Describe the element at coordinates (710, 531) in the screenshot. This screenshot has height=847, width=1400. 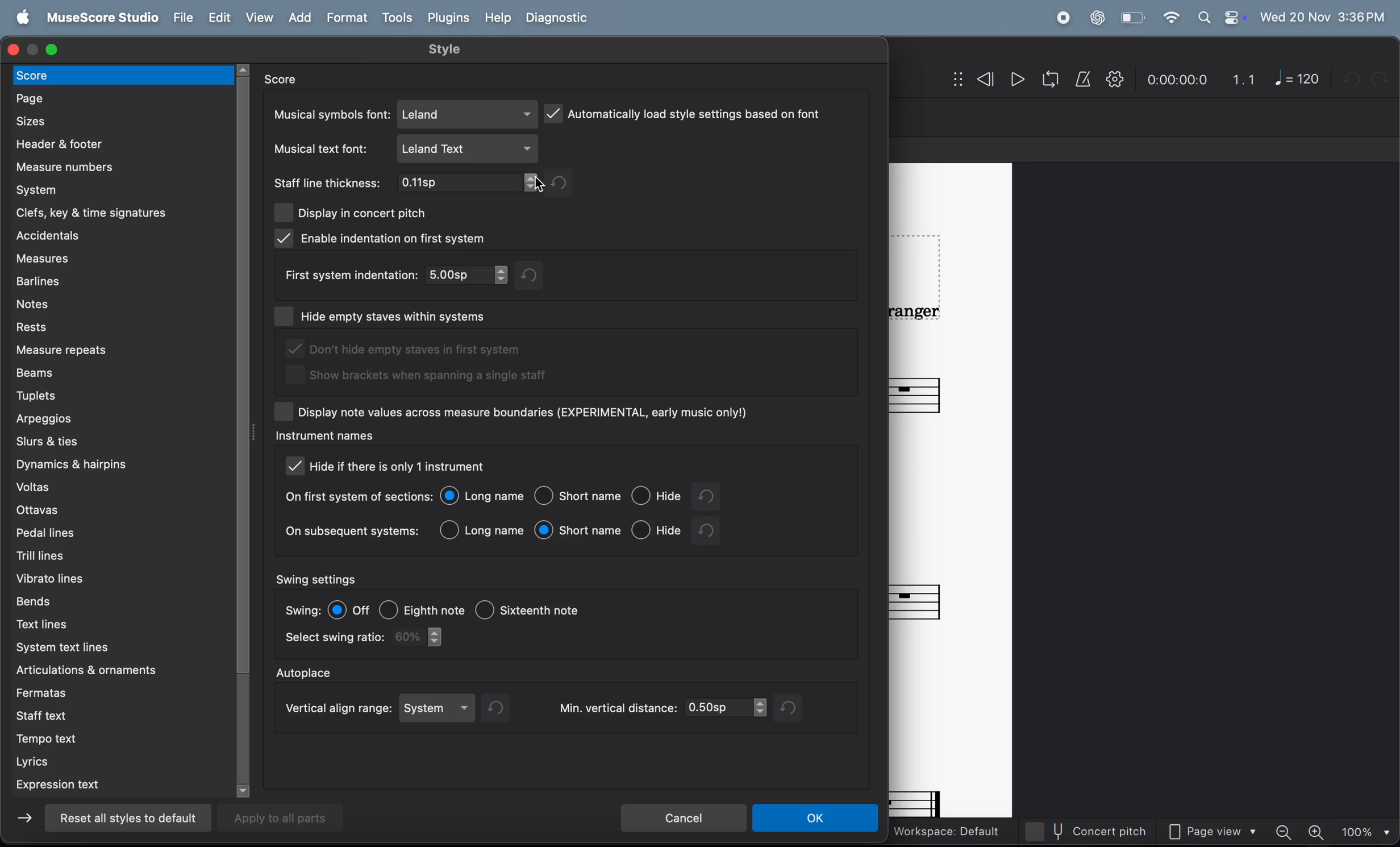
I see `undo` at that location.